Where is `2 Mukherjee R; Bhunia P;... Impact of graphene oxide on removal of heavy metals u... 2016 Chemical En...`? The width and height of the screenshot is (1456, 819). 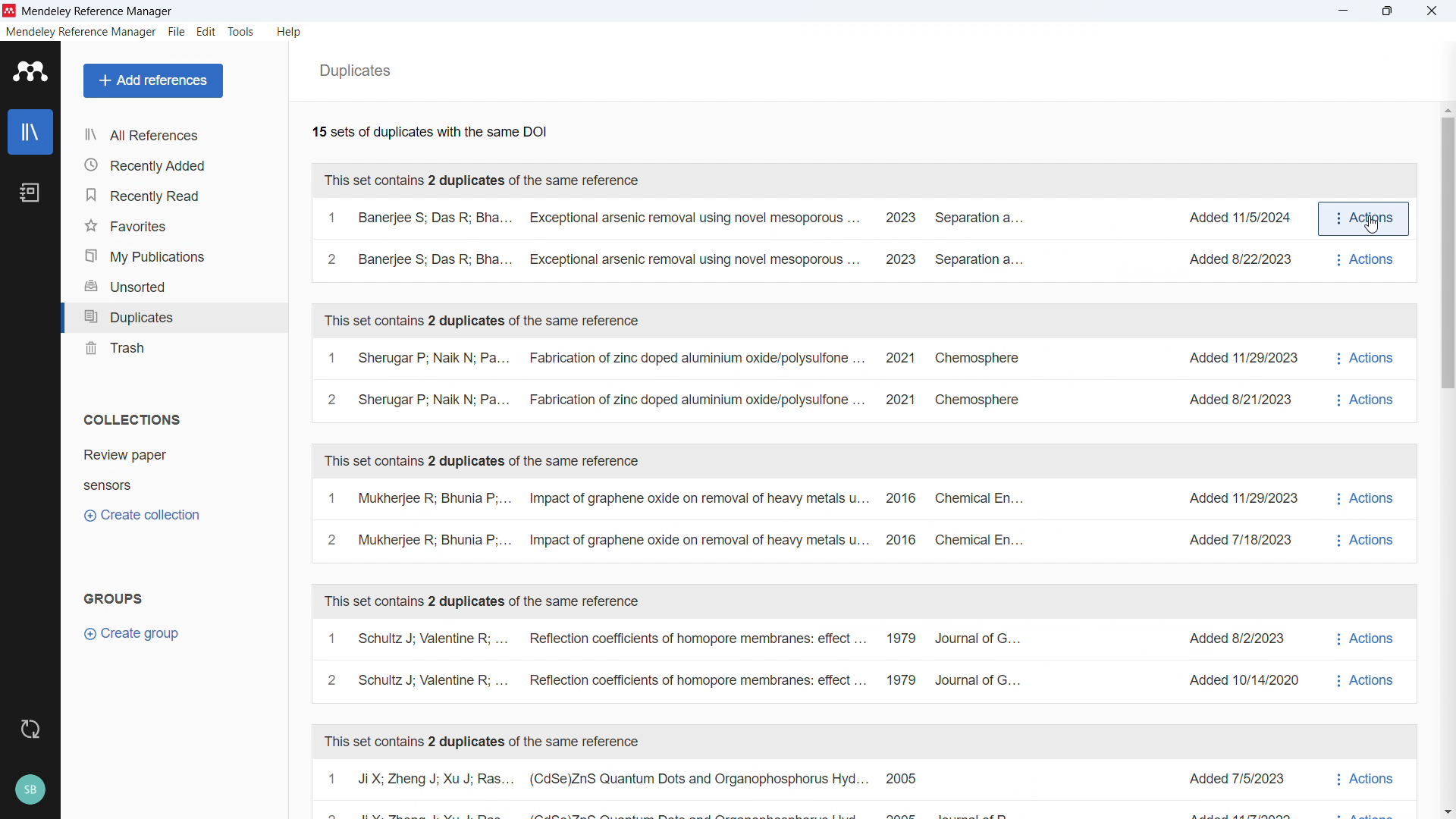
2 Mukherjee R; Bhunia P;... Impact of graphene oxide on removal of heavy metals u... 2016 Chemical En... is located at coordinates (672, 541).